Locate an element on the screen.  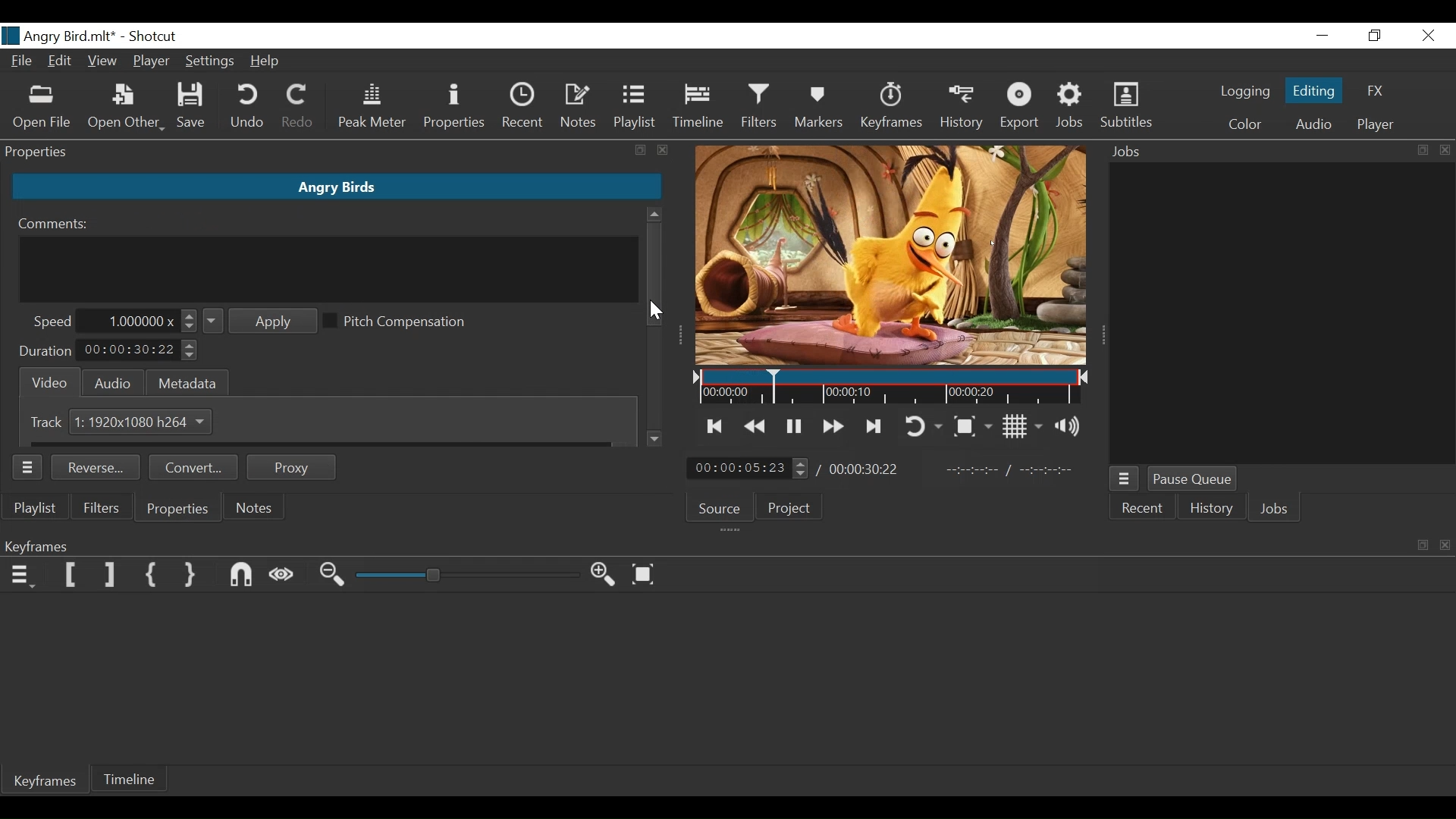
Toggle display grid on player is located at coordinates (1021, 427).